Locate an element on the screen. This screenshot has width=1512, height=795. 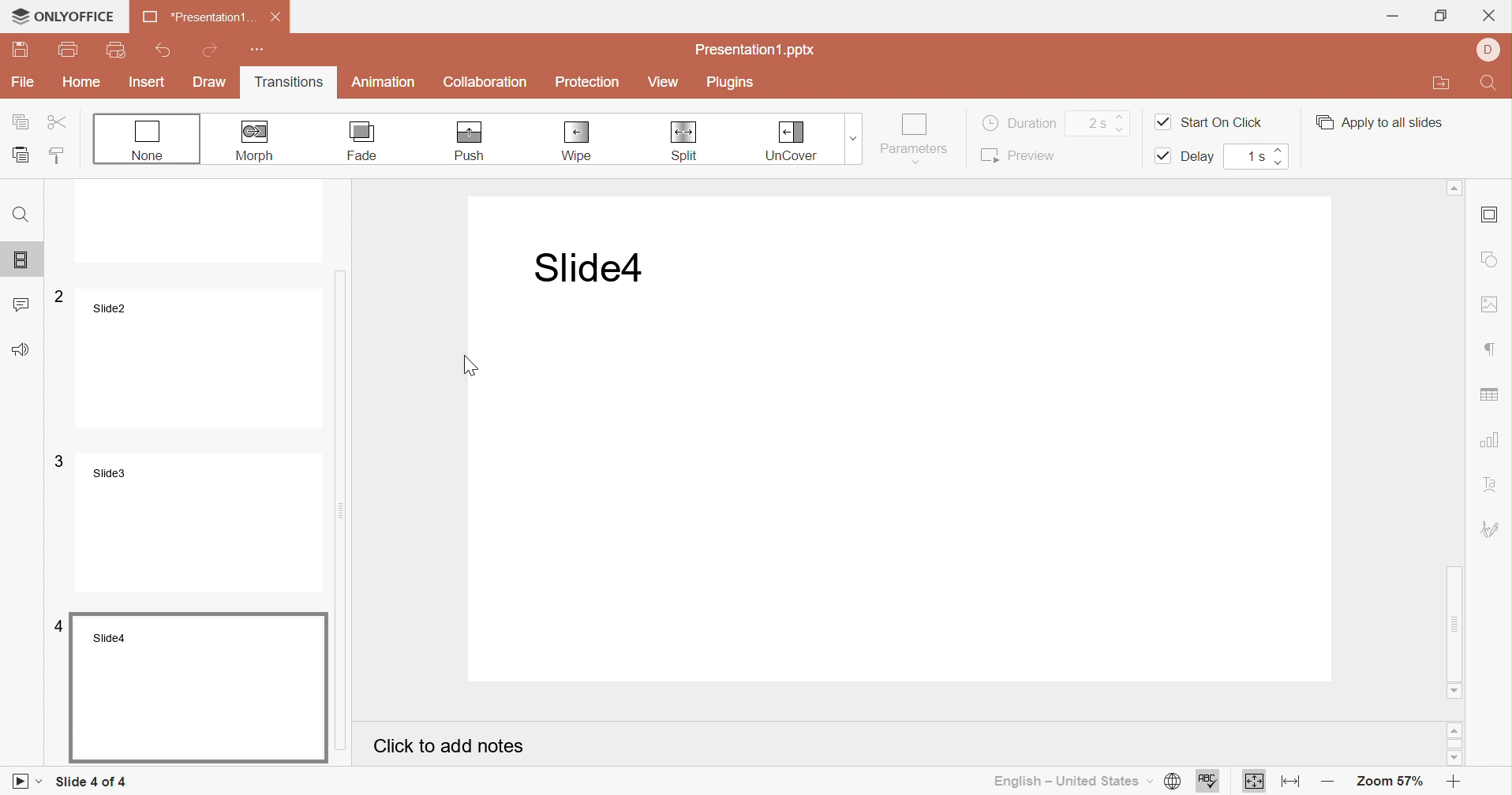
Zoom 57% is located at coordinates (1392, 784).